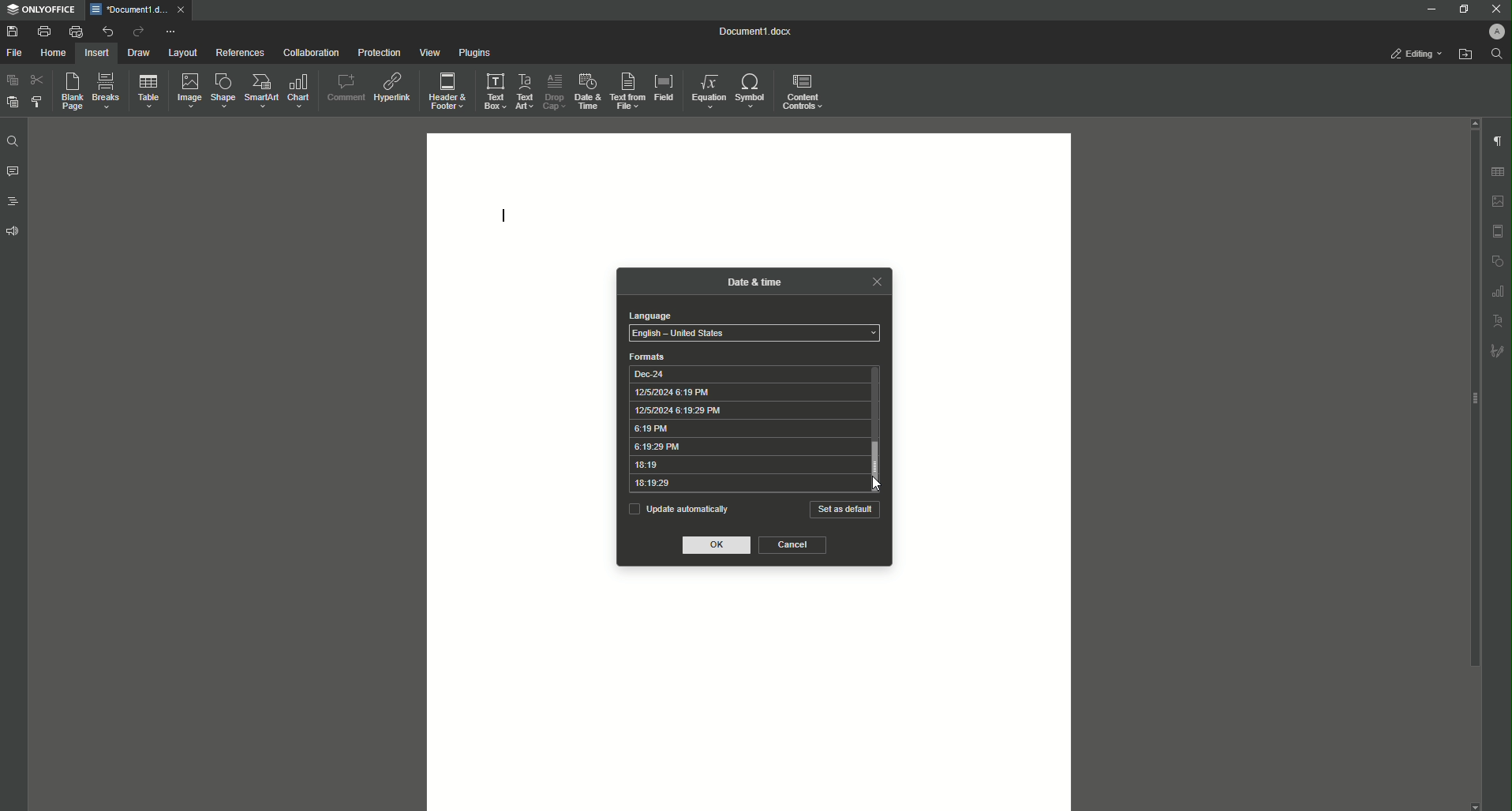 This screenshot has height=811, width=1512. Describe the element at coordinates (12, 141) in the screenshot. I see `Find` at that location.